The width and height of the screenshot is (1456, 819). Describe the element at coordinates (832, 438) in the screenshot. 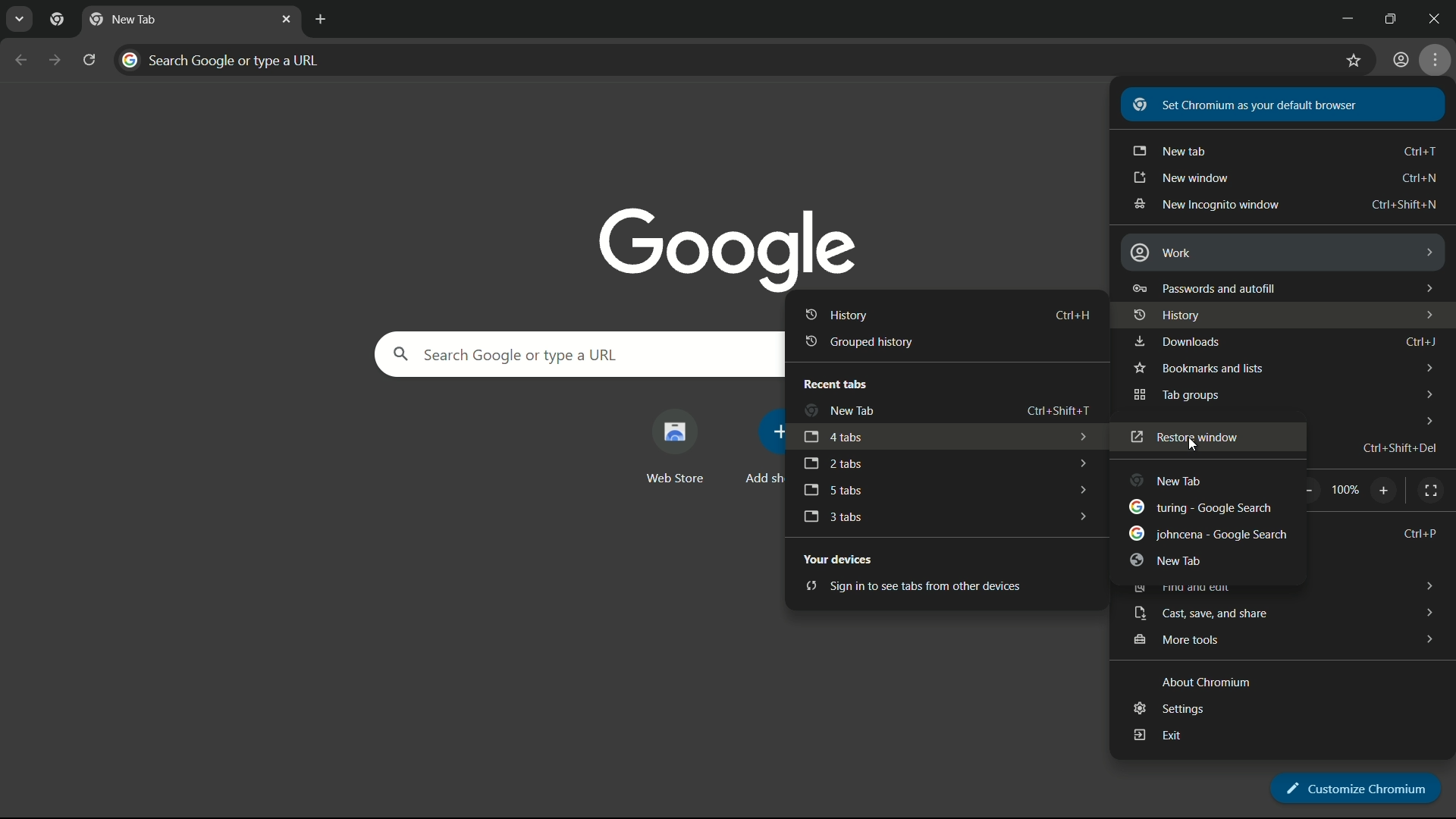

I see `4 tabs` at that location.